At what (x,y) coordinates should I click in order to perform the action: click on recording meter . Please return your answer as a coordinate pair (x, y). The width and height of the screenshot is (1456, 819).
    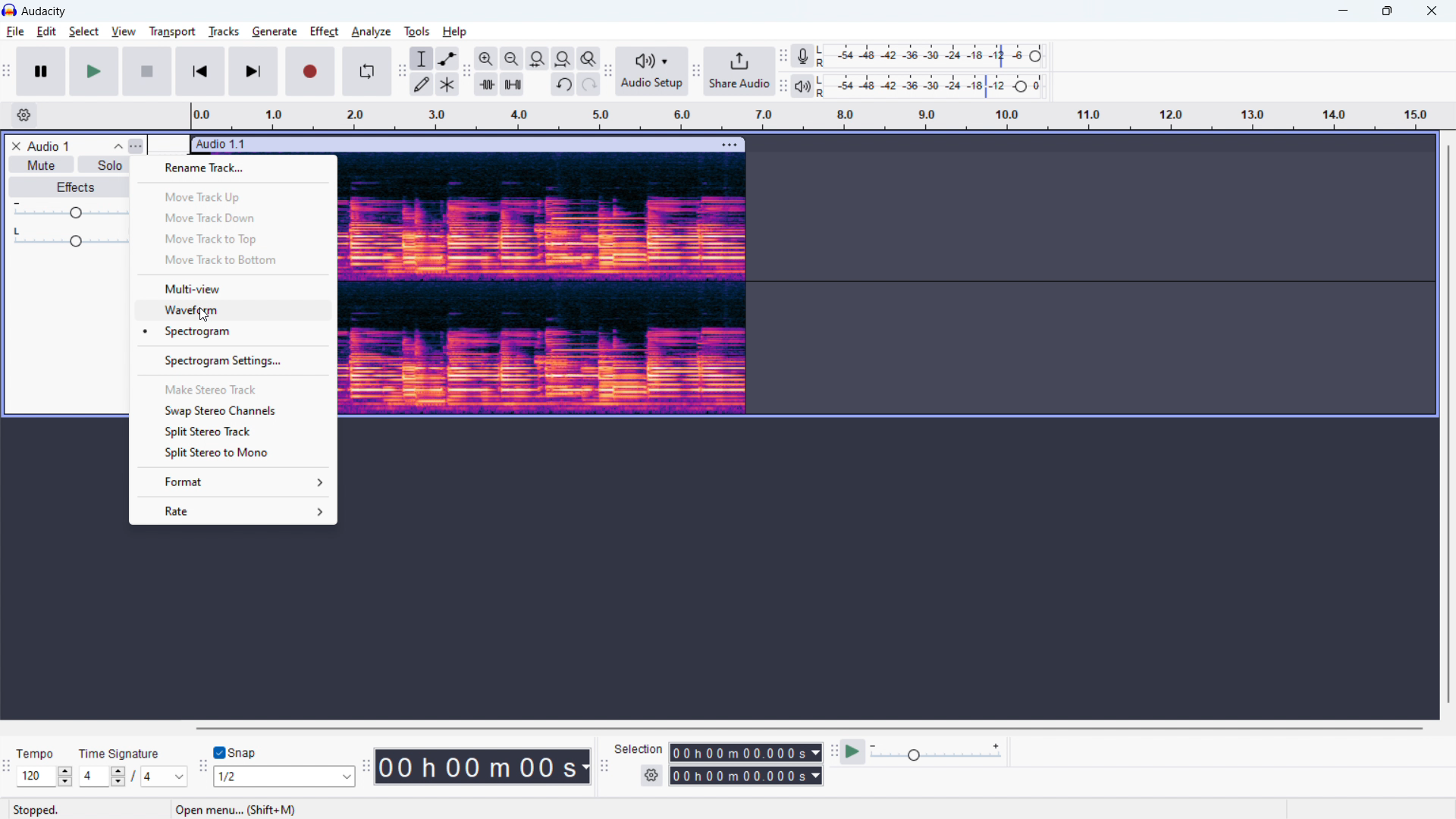
    Looking at the image, I should click on (807, 55).